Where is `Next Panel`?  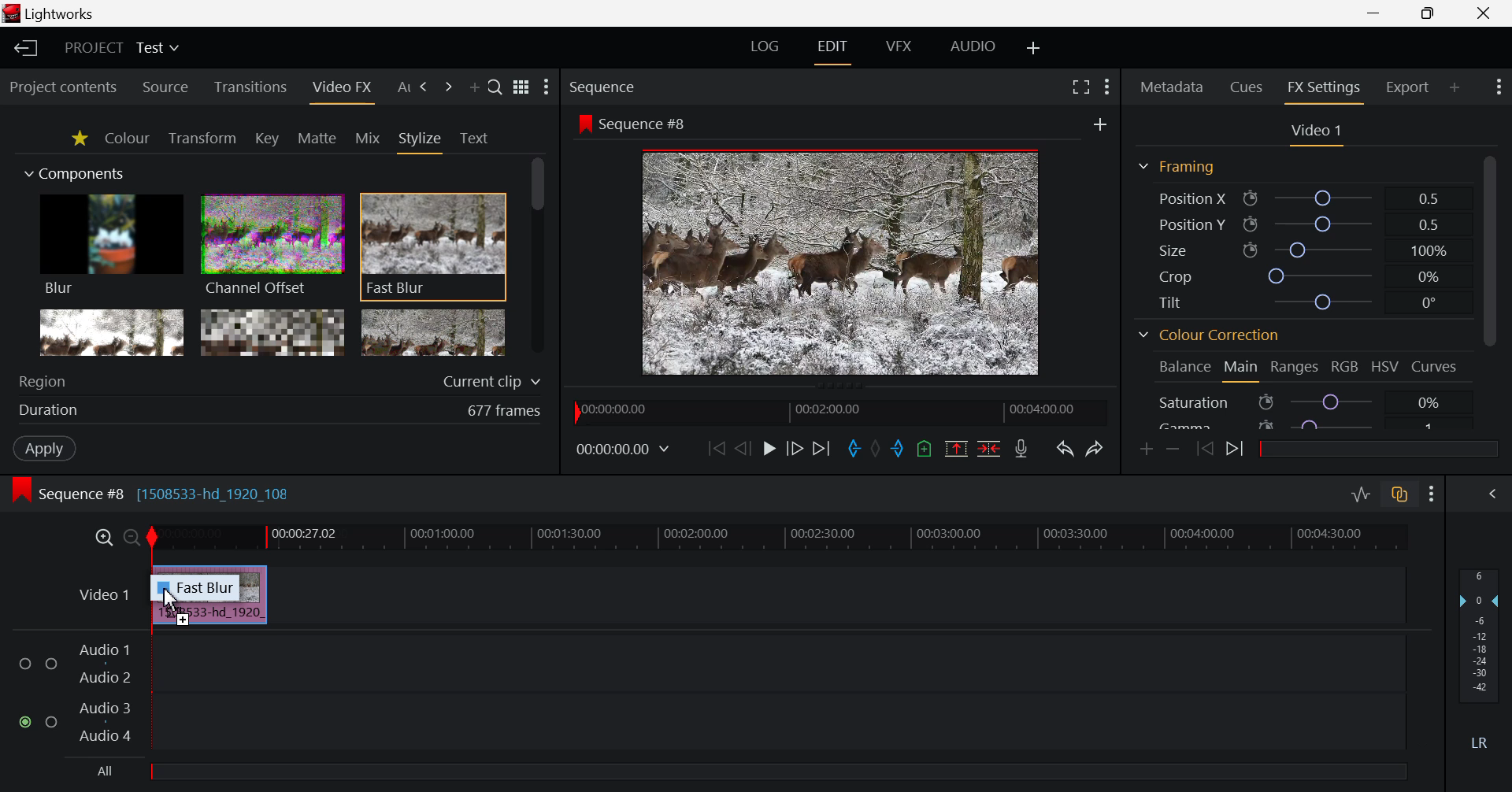
Next Panel is located at coordinates (421, 87).